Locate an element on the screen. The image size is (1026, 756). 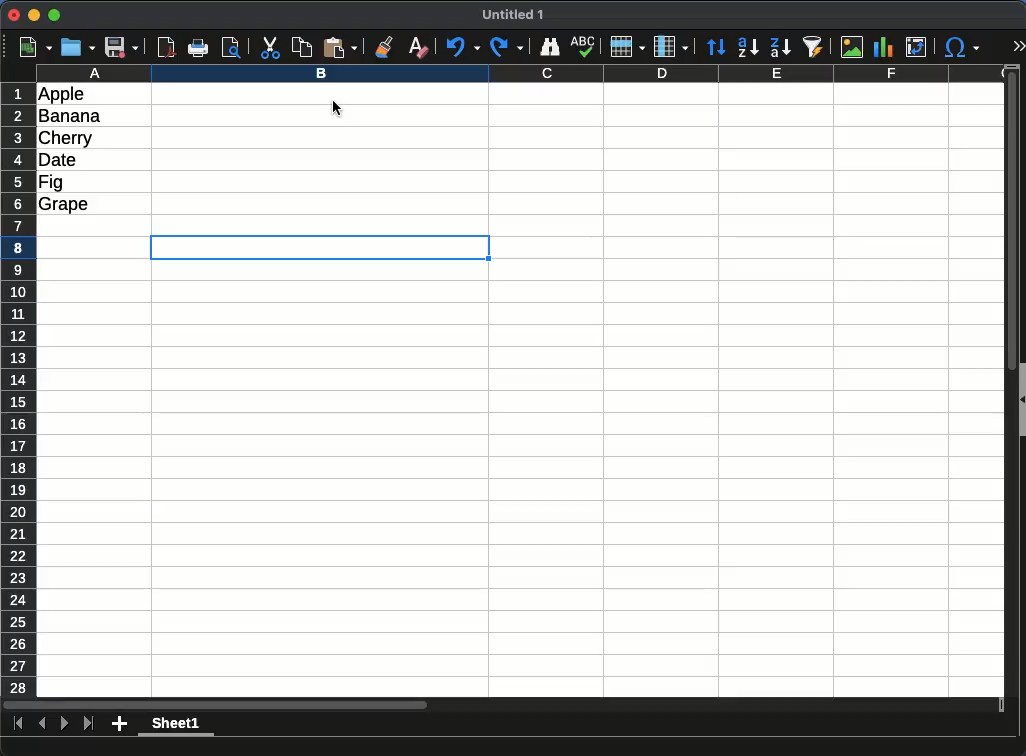
autofilter is located at coordinates (813, 47).